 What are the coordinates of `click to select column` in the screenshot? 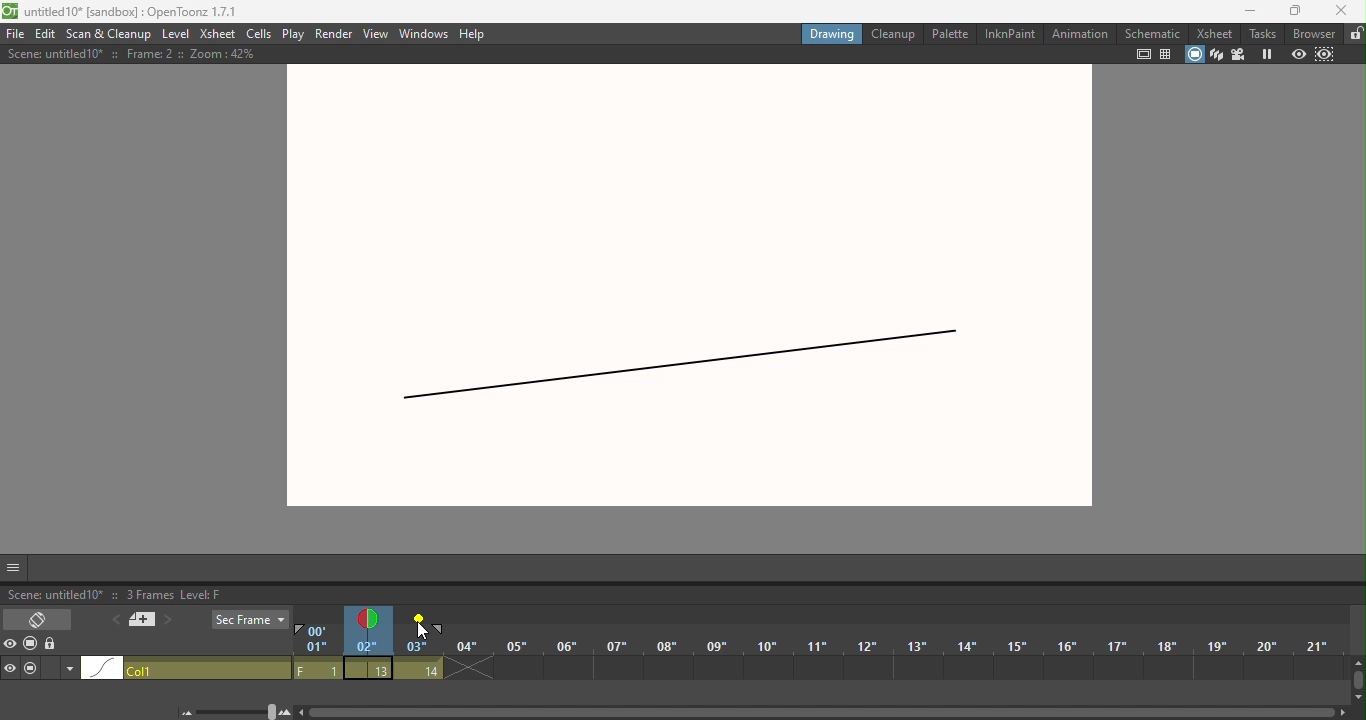 It's located at (187, 669).